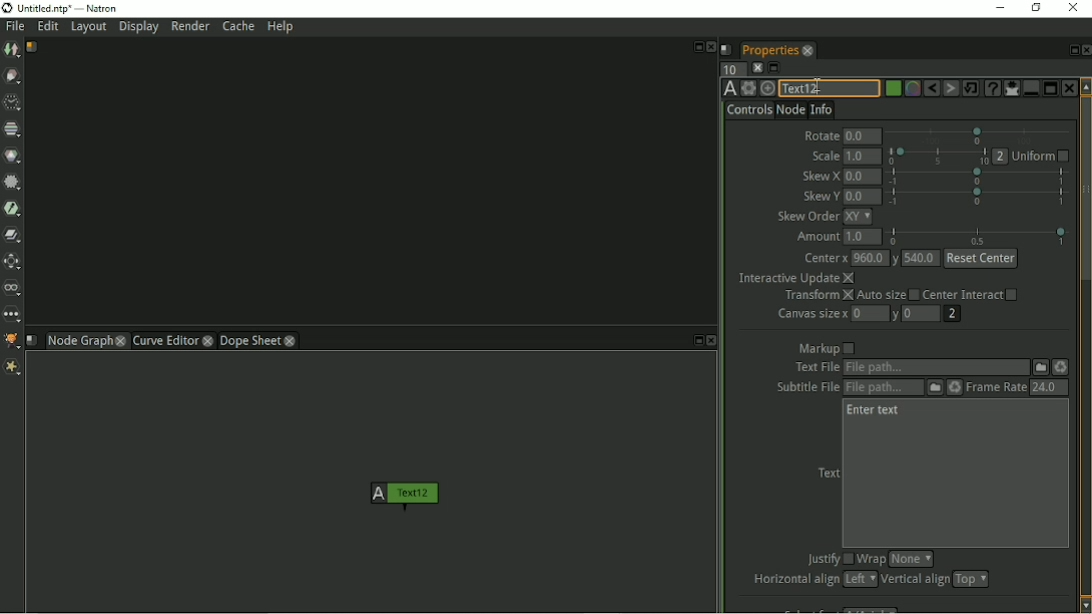 This screenshot has width=1092, height=614. I want to click on Restore default values, so click(971, 88).